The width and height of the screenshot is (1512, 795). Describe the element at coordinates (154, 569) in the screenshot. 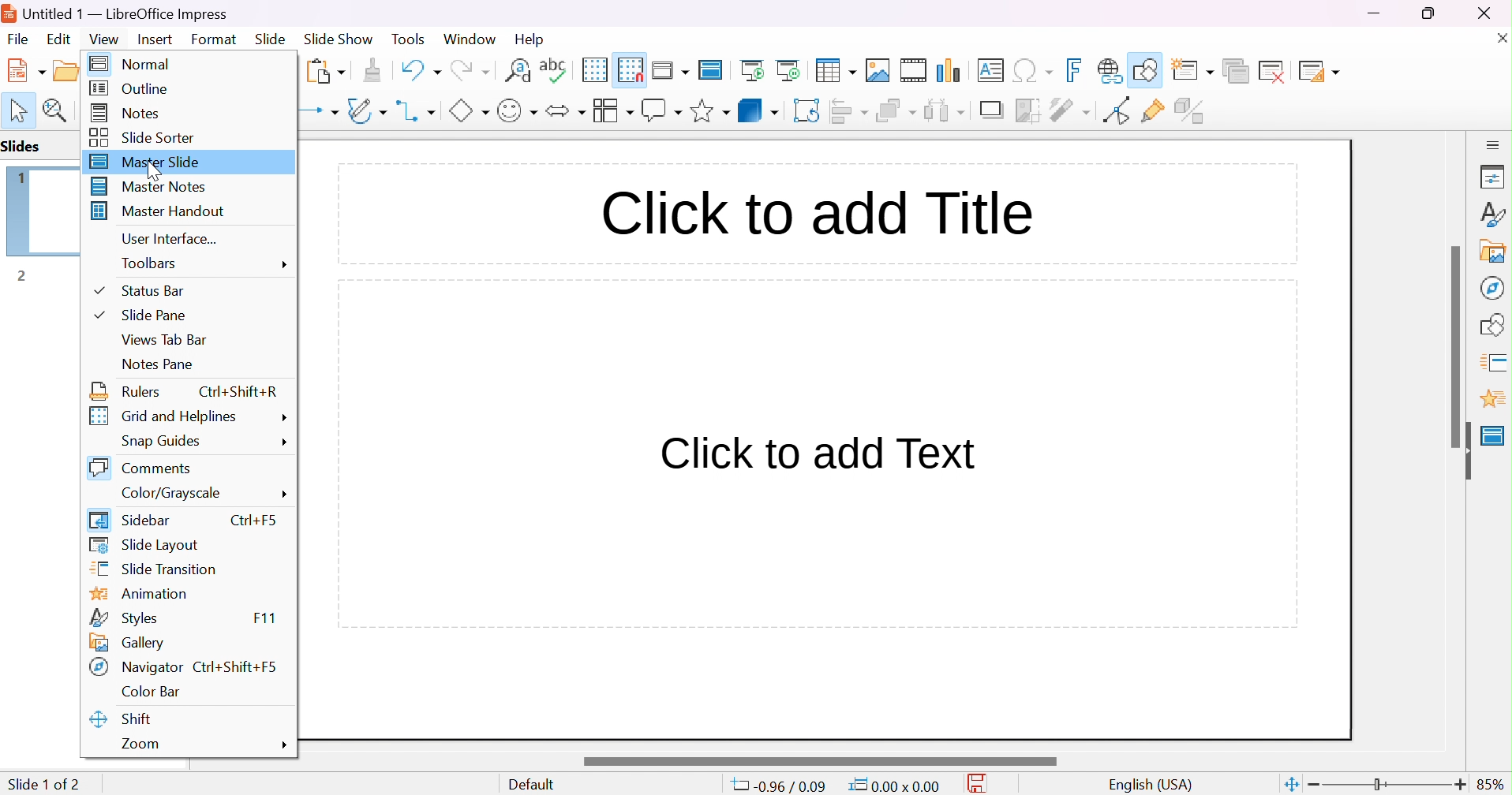

I see `slide transition` at that location.